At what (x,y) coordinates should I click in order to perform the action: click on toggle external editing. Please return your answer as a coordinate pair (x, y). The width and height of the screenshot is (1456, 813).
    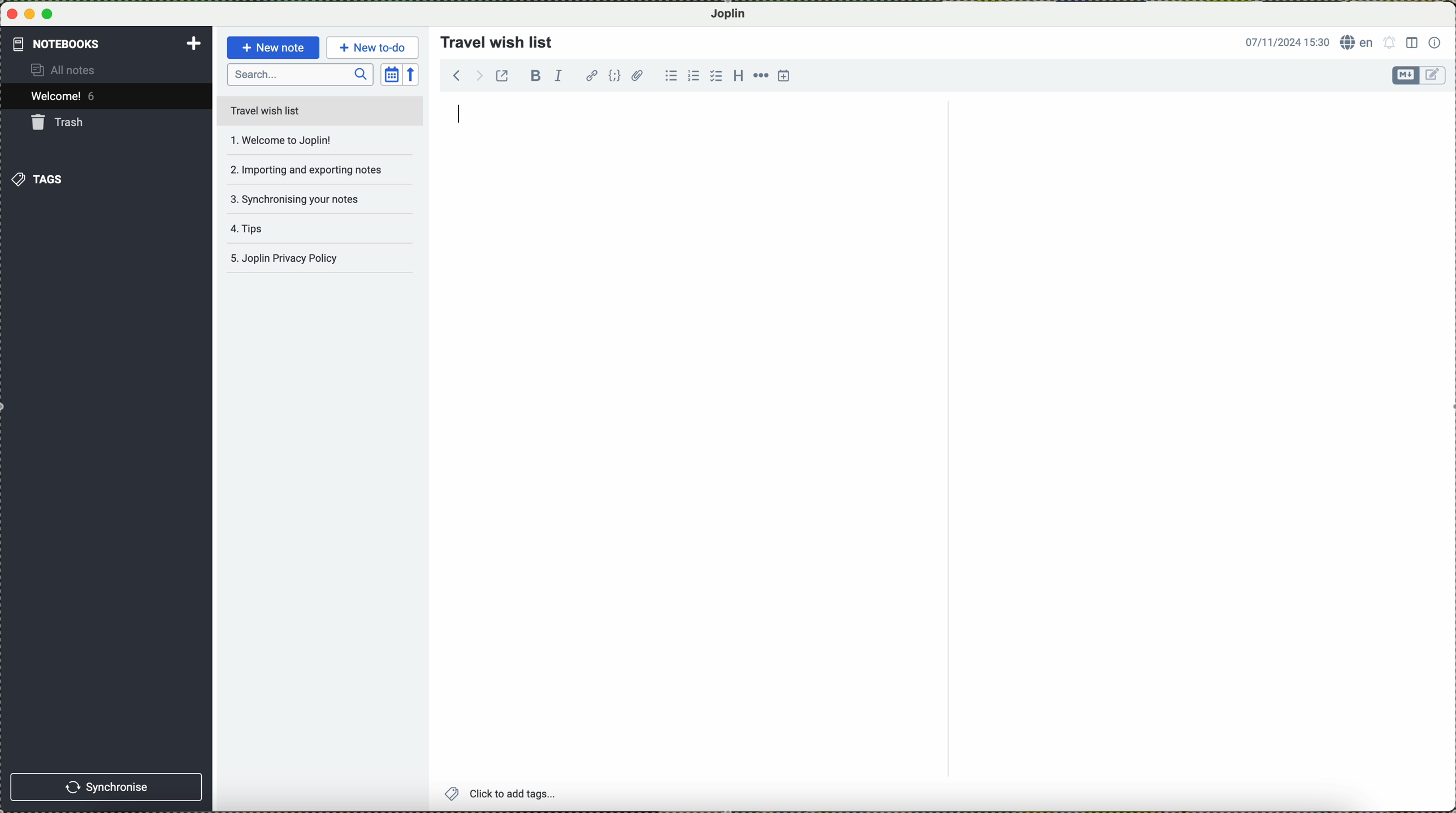
    Looking at the image, I should click on (505, 80).